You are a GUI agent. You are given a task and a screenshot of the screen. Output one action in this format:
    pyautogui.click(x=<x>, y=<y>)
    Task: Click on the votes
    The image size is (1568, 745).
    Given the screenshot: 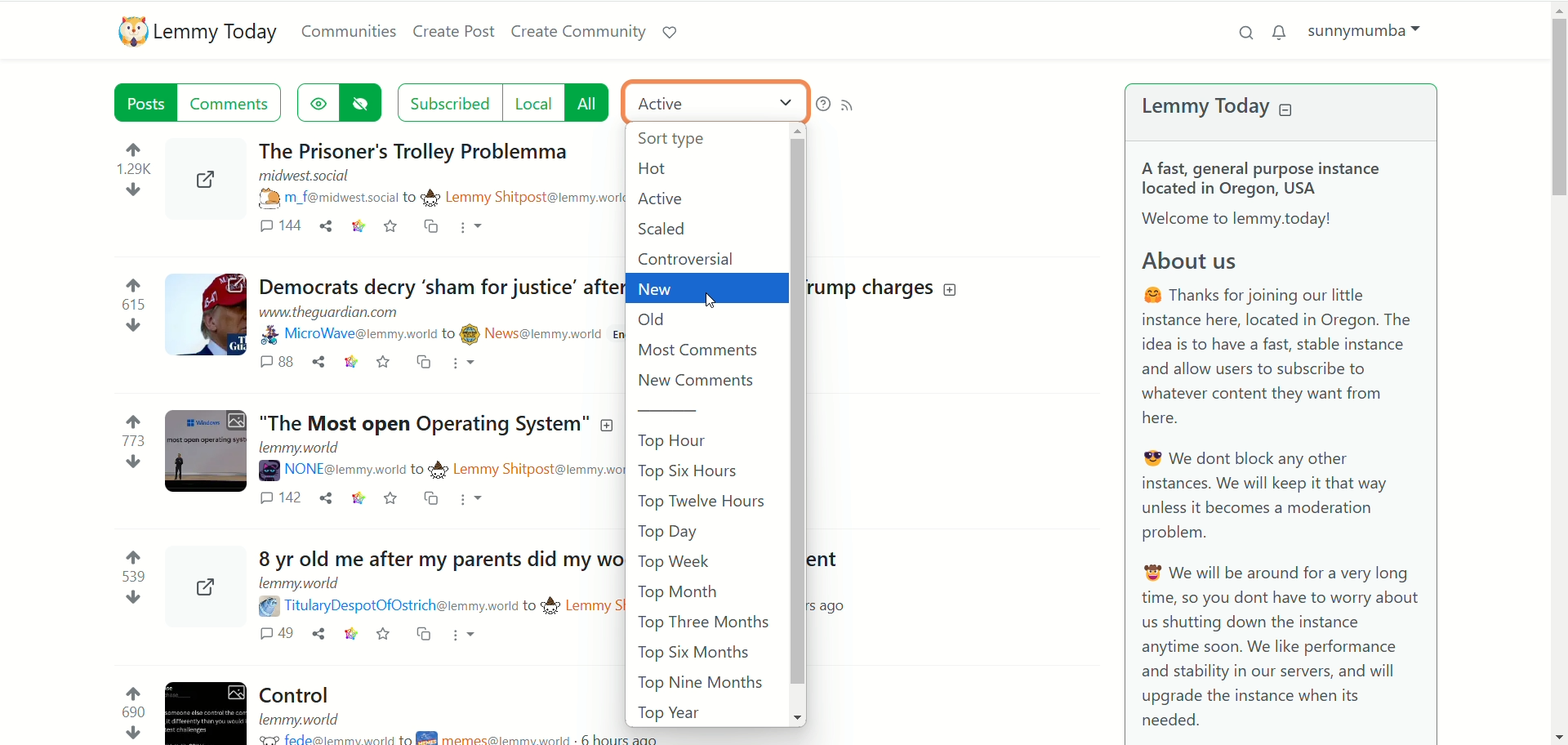 What is the action you would take?
    pyautogui.click(x=136, y=175)
    